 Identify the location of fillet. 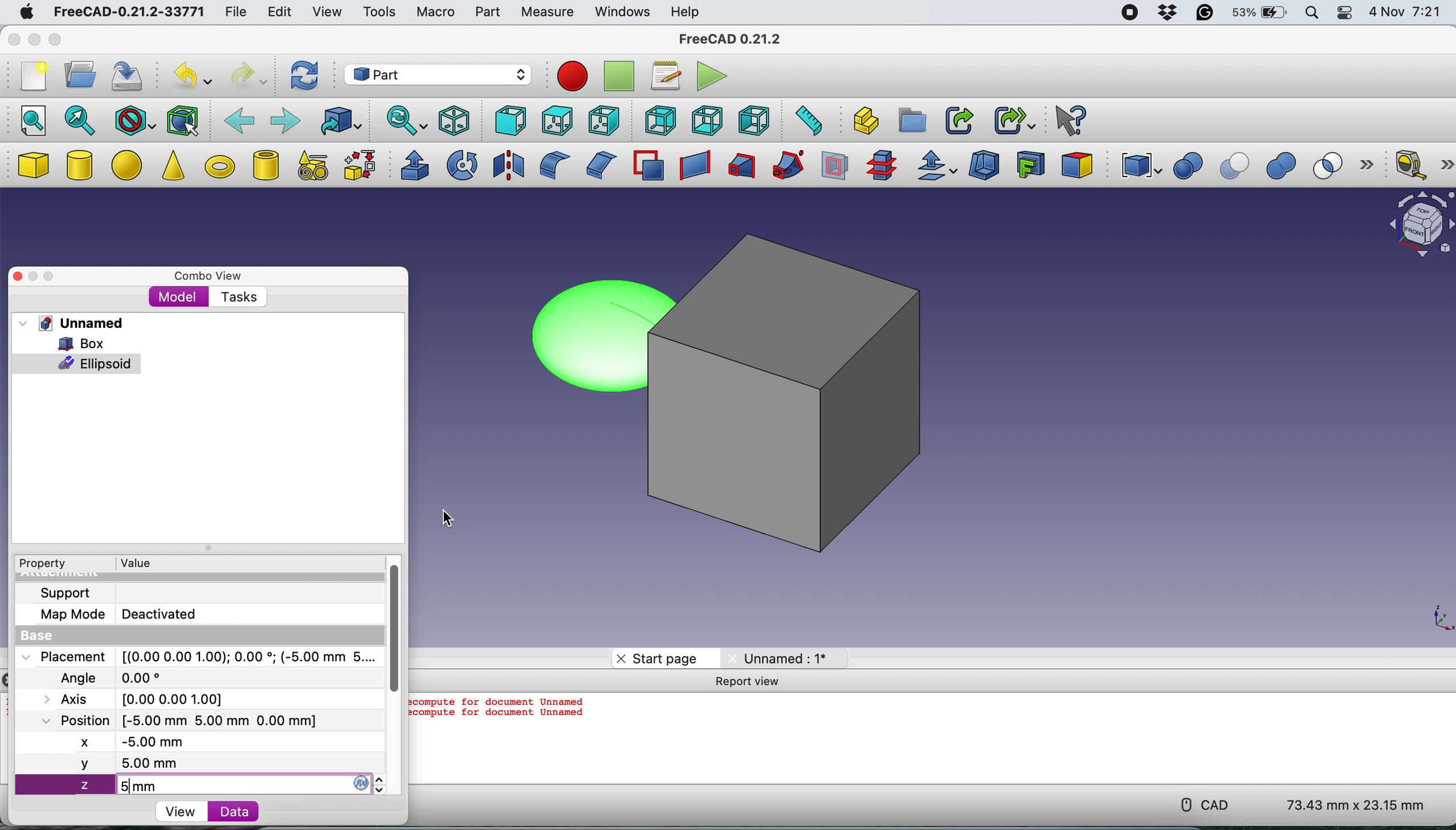
(550, 165).